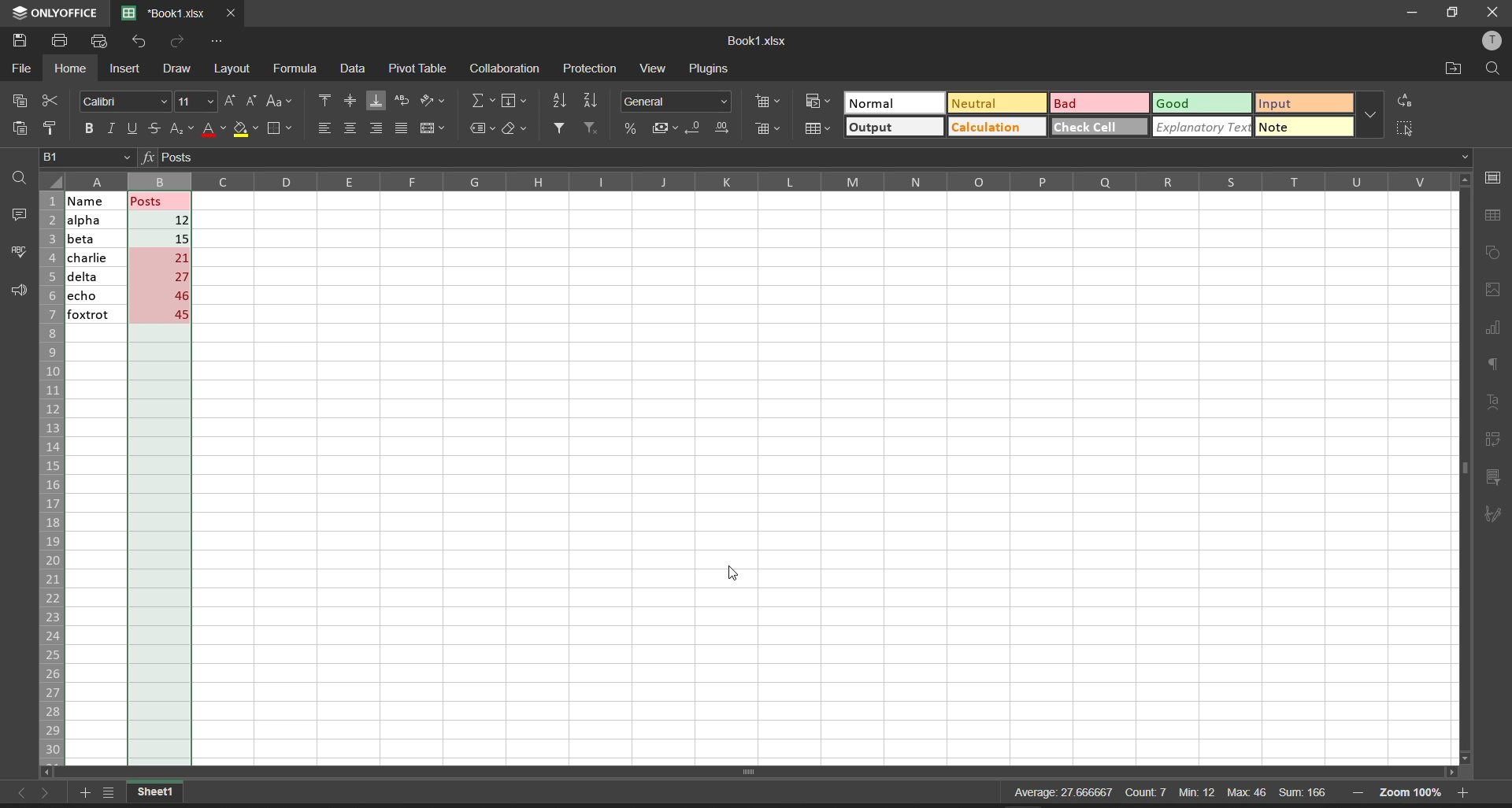 Image resolution: width=1512 pixels, height=808 pixels. Describe the element at coordinates (372, 101) in the screenshot. I see `align bottom` at that location.